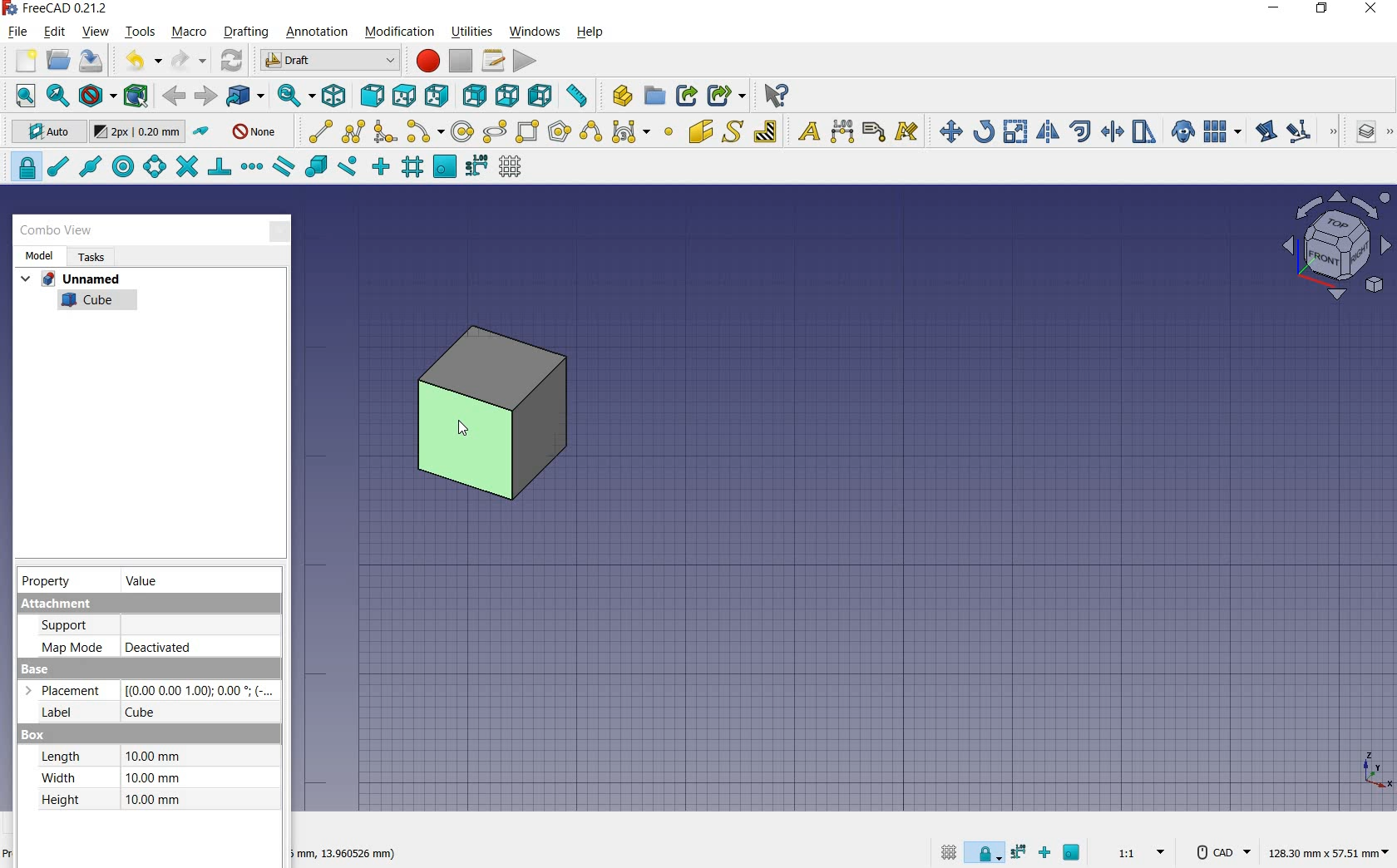  What do you see at coordinates (493, 61) in the screenshot?
I see `macros` at bounding box center [493, 61].